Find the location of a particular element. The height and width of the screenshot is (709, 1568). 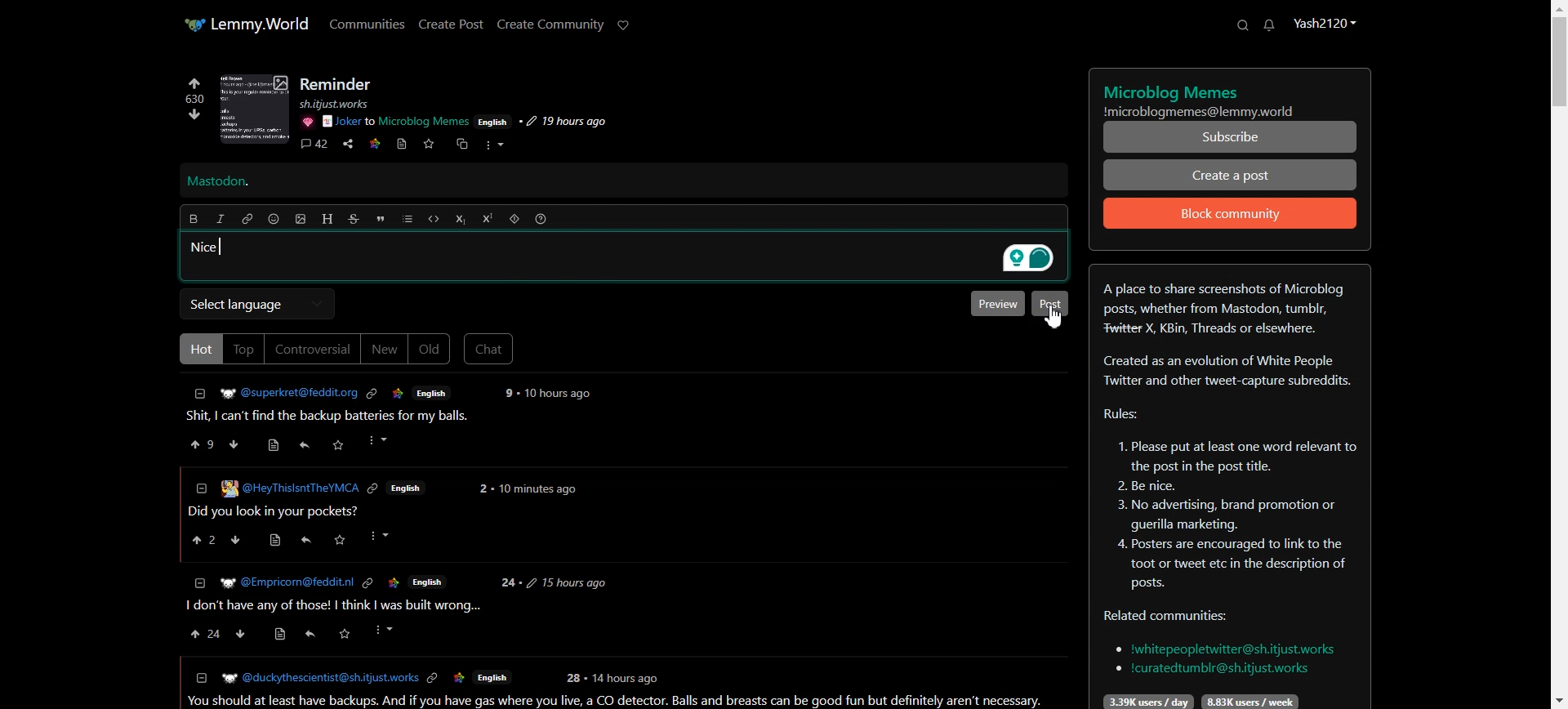

Old is located at coordinates (430, 350).